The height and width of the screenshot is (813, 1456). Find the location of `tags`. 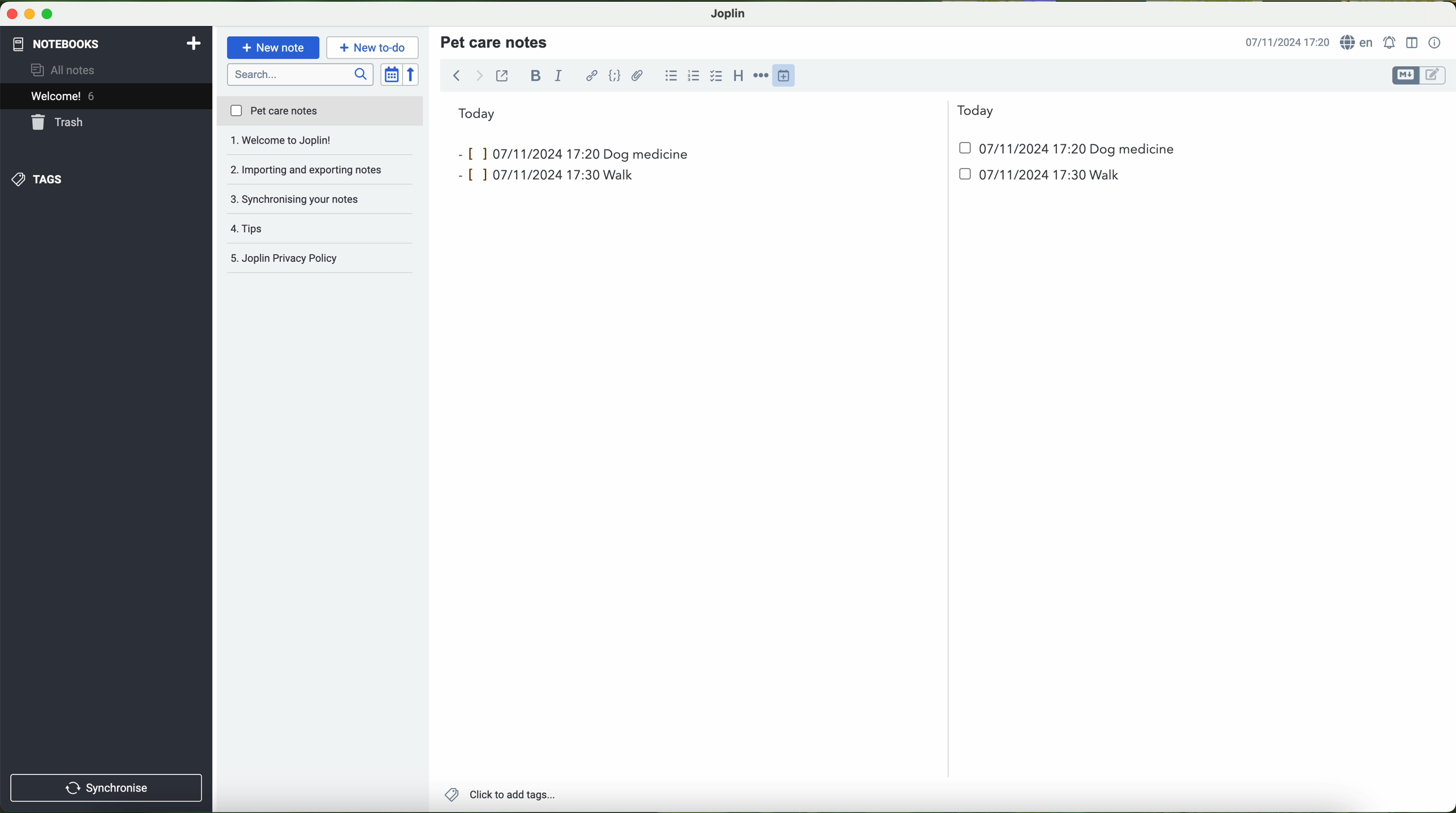

tags is located at coordinates (36, 179).